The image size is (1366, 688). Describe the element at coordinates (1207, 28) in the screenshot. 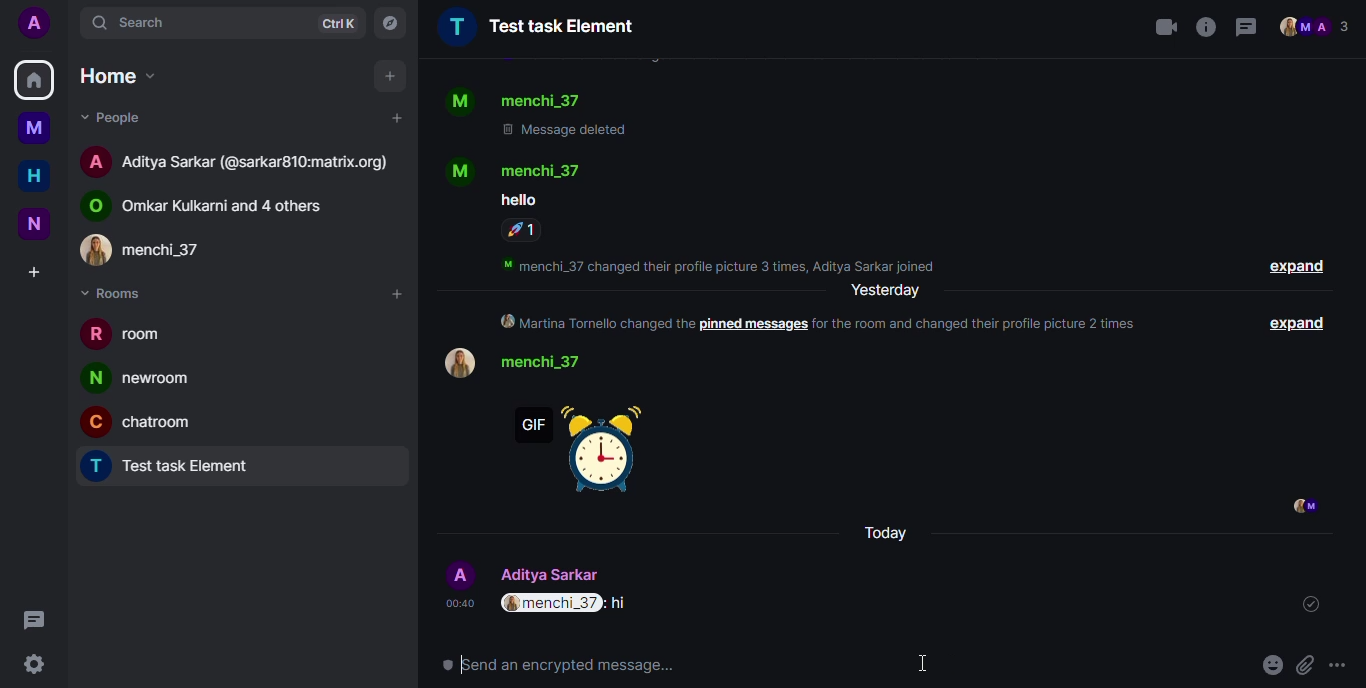

I see `info` at that location.